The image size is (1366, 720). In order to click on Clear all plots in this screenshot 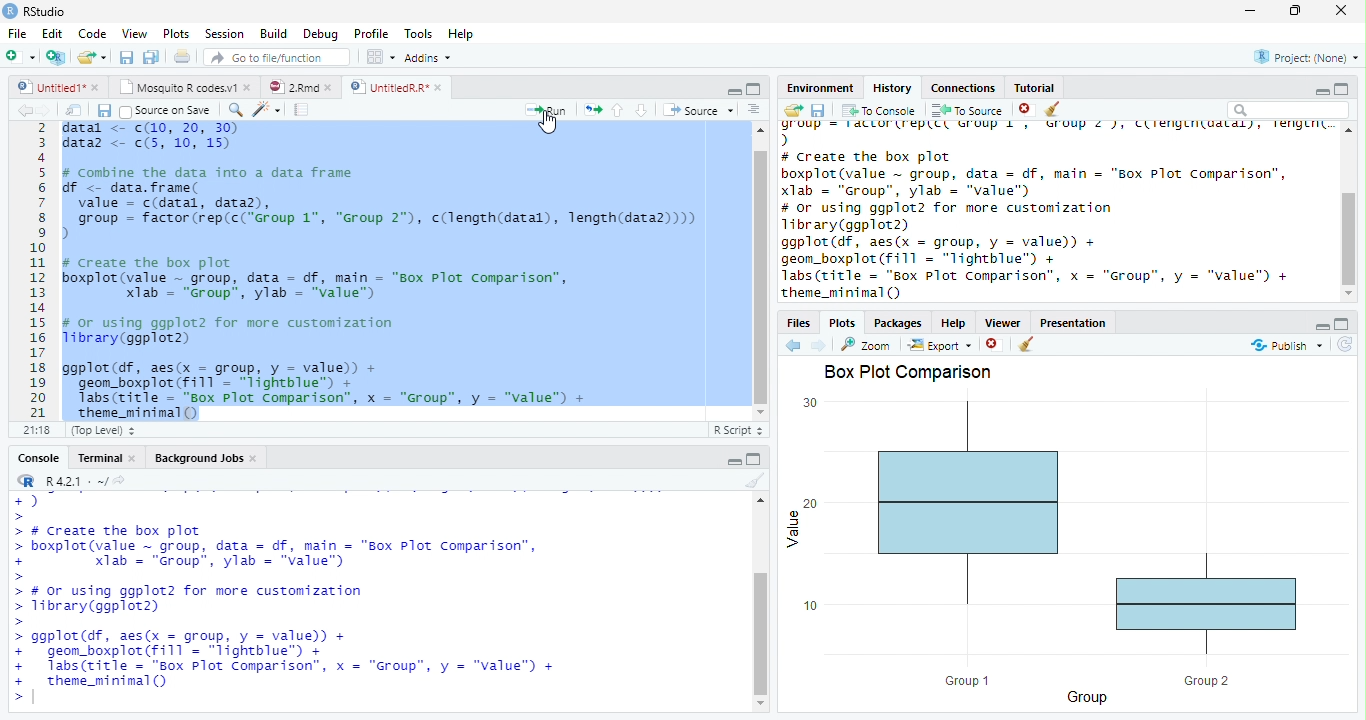, I will do `click(1027, 344)`.